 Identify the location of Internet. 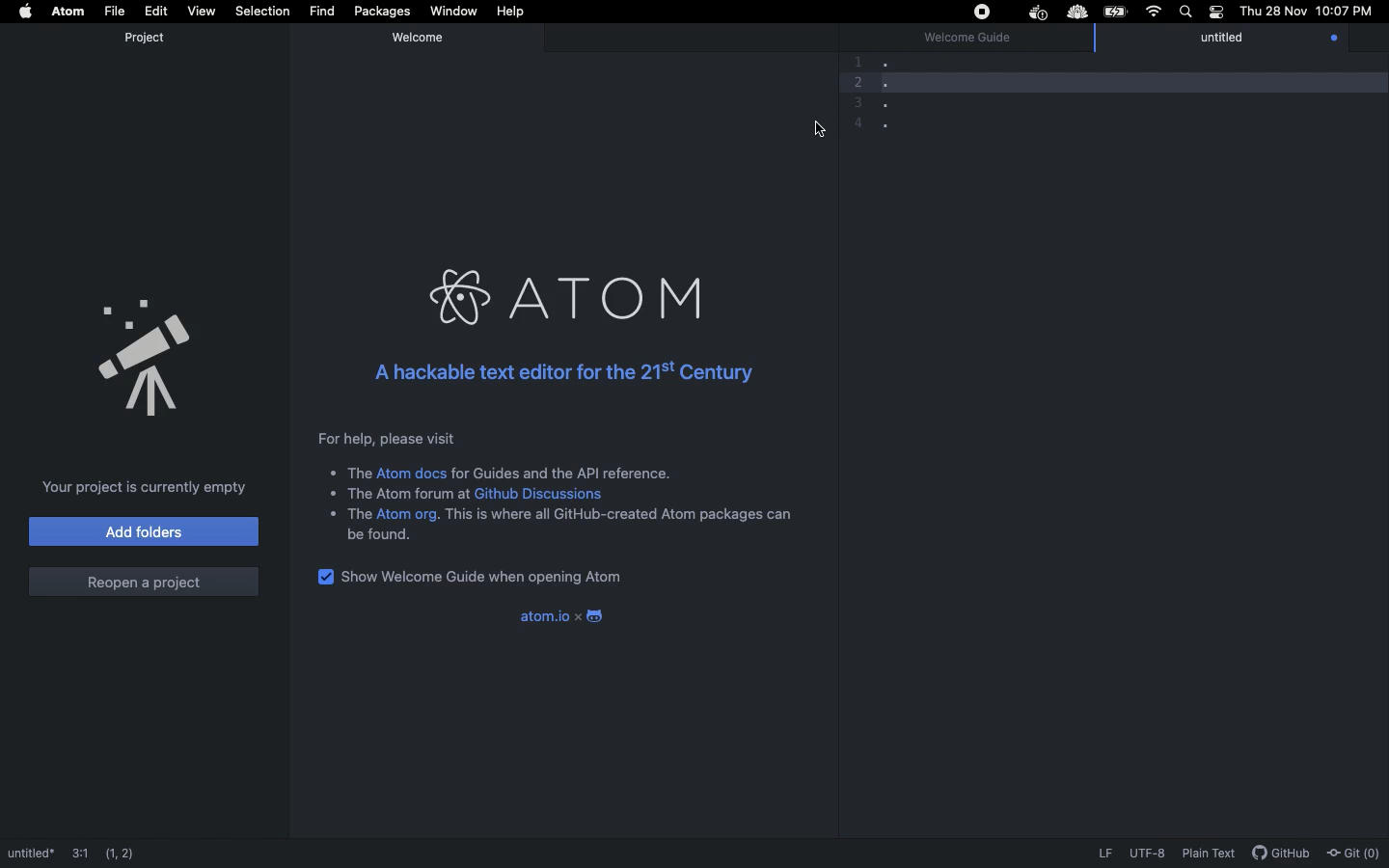
(1151, 14).